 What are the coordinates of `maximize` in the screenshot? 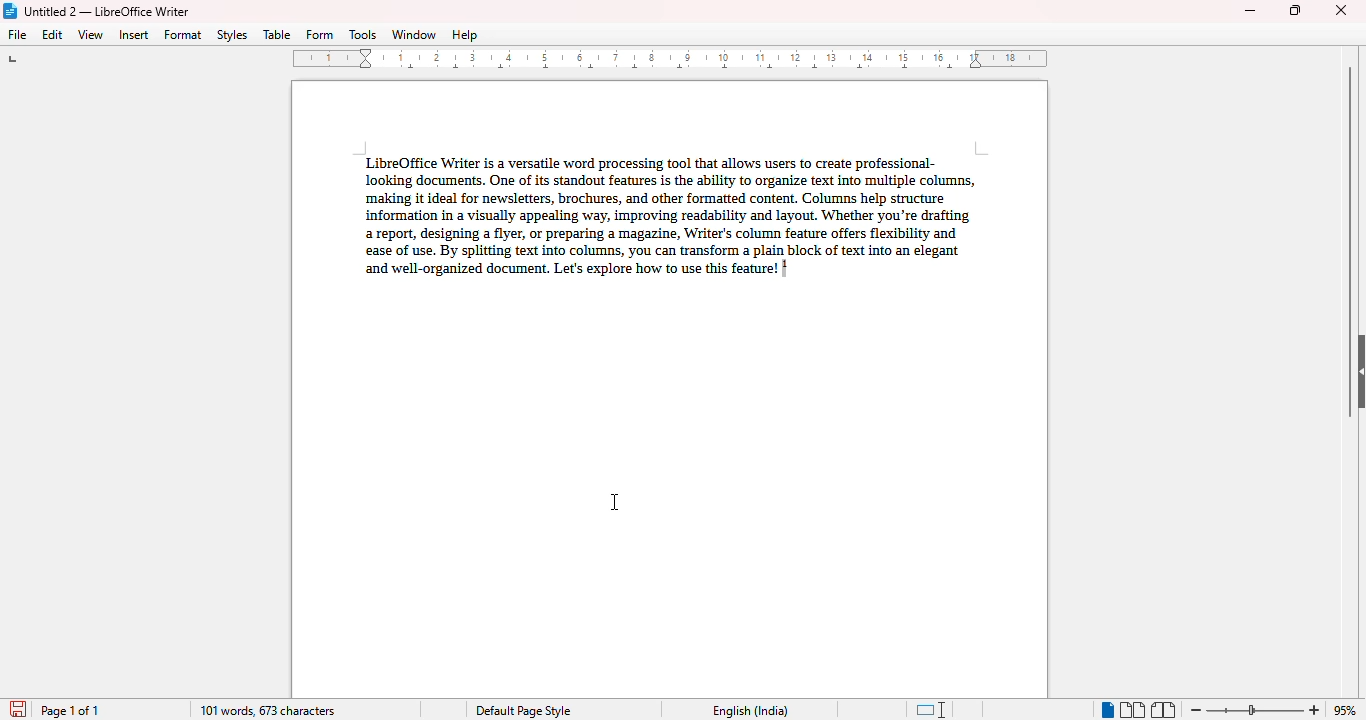 It's located at (1295, 10).